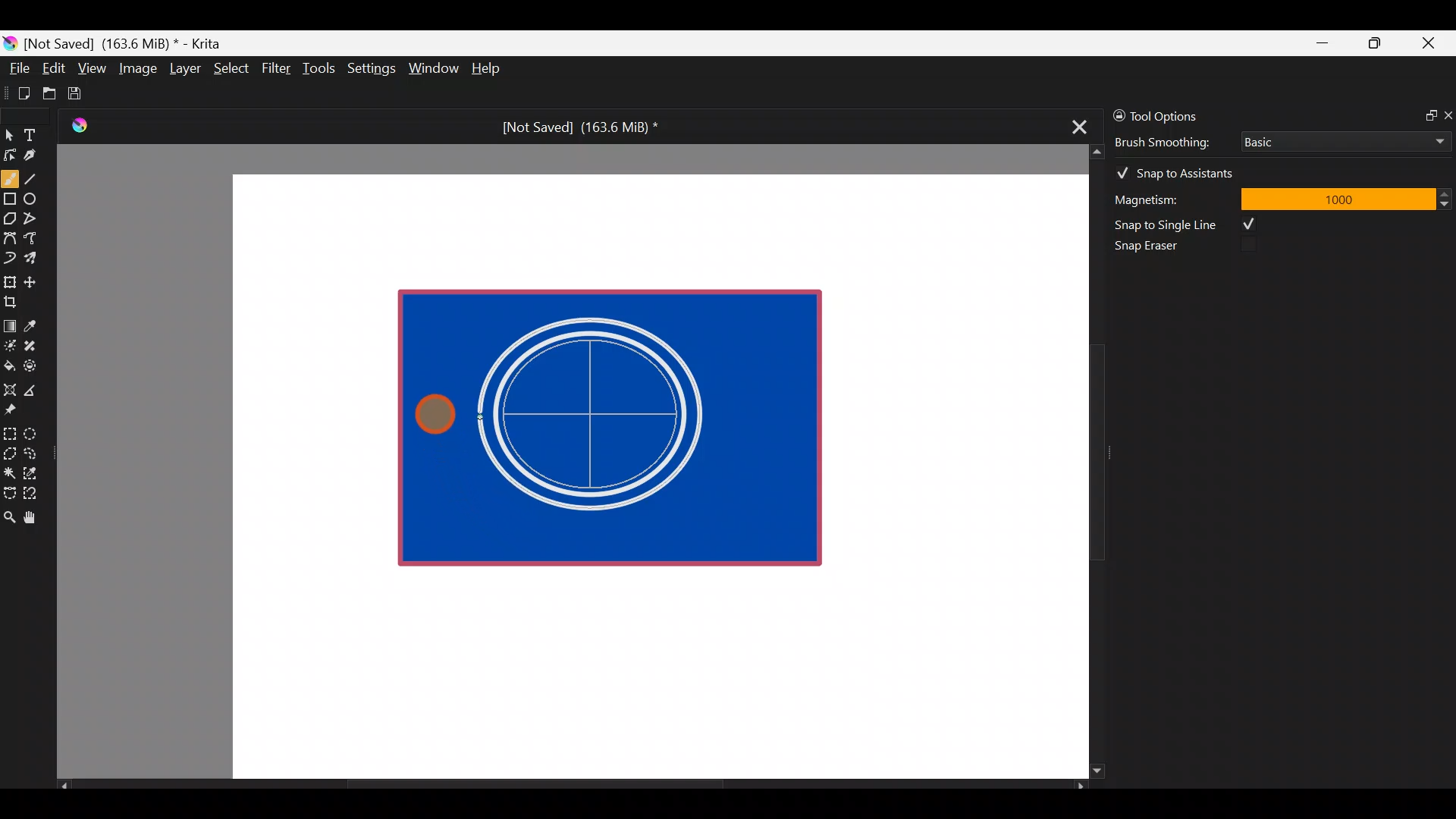 The width and height of the screenshot is (1456, 819). What do you see at coordinates (36, 219) in the screenshot?
I see `Polyline tool` at bounding box center [36, 219].